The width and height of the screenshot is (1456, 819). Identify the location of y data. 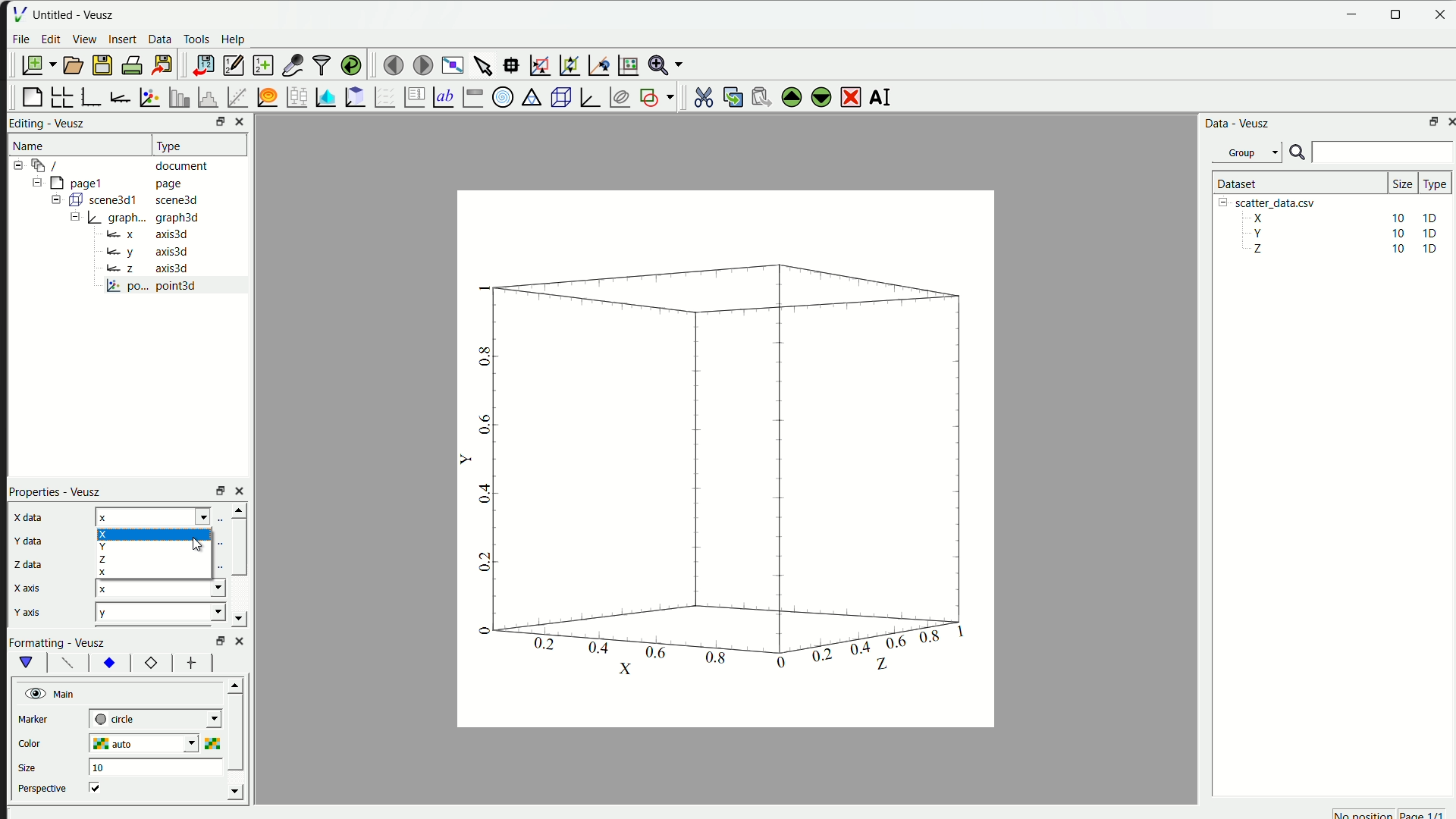
(21, 539).